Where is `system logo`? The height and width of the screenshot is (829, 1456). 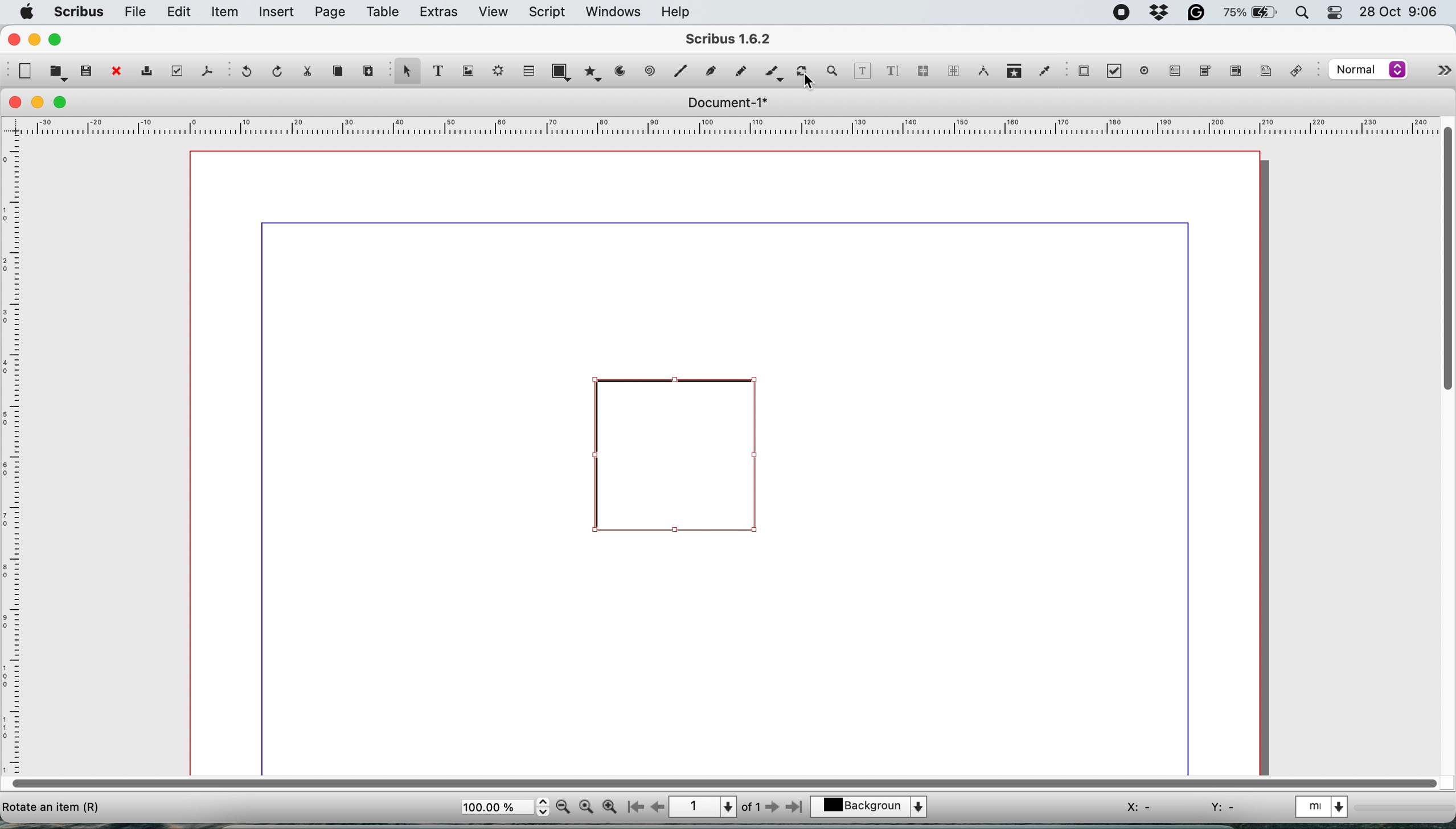 system logo is located at coordinates (28, 11).